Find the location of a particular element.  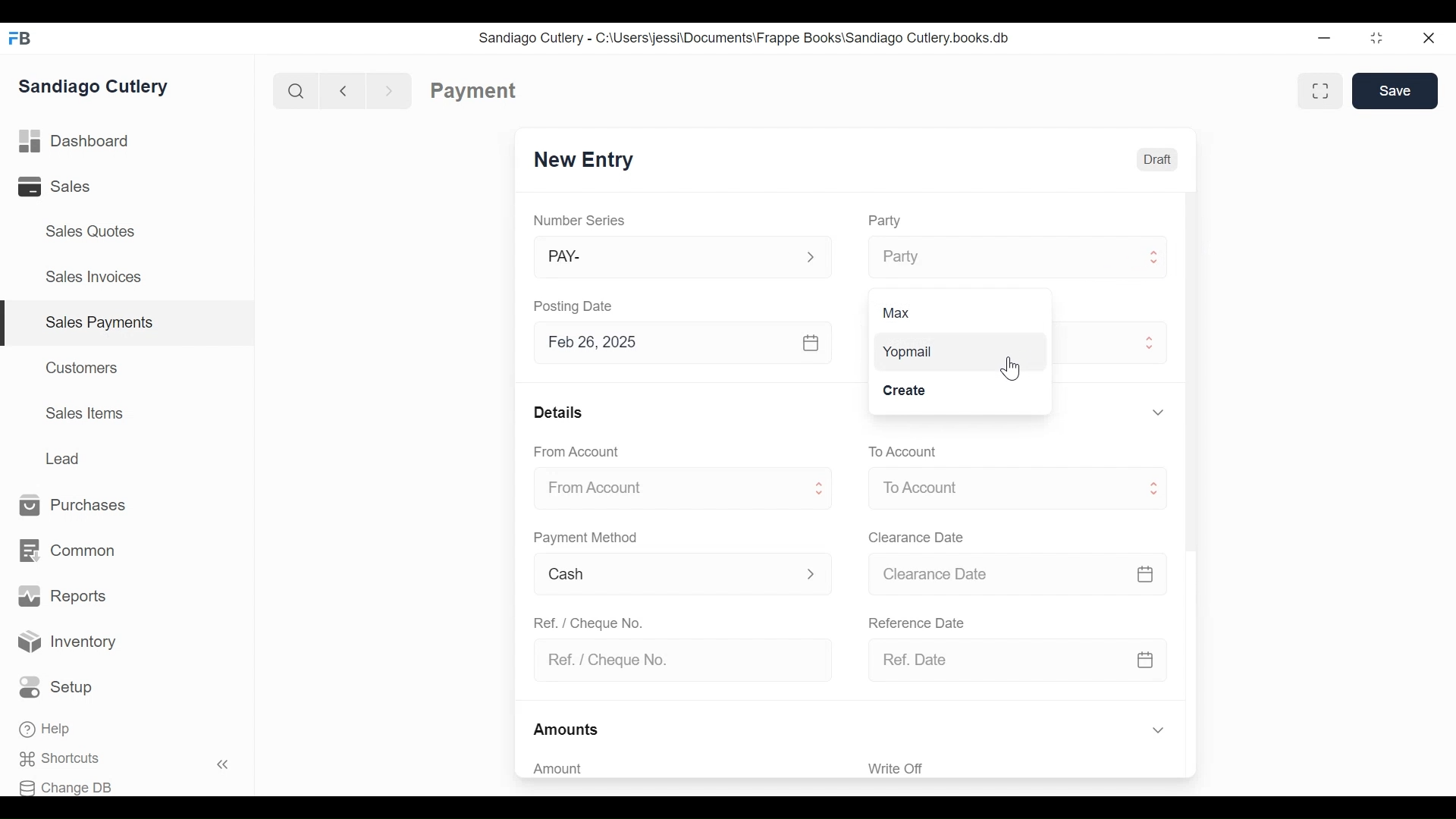

Navigate Back is located at coordinates (340, 90).